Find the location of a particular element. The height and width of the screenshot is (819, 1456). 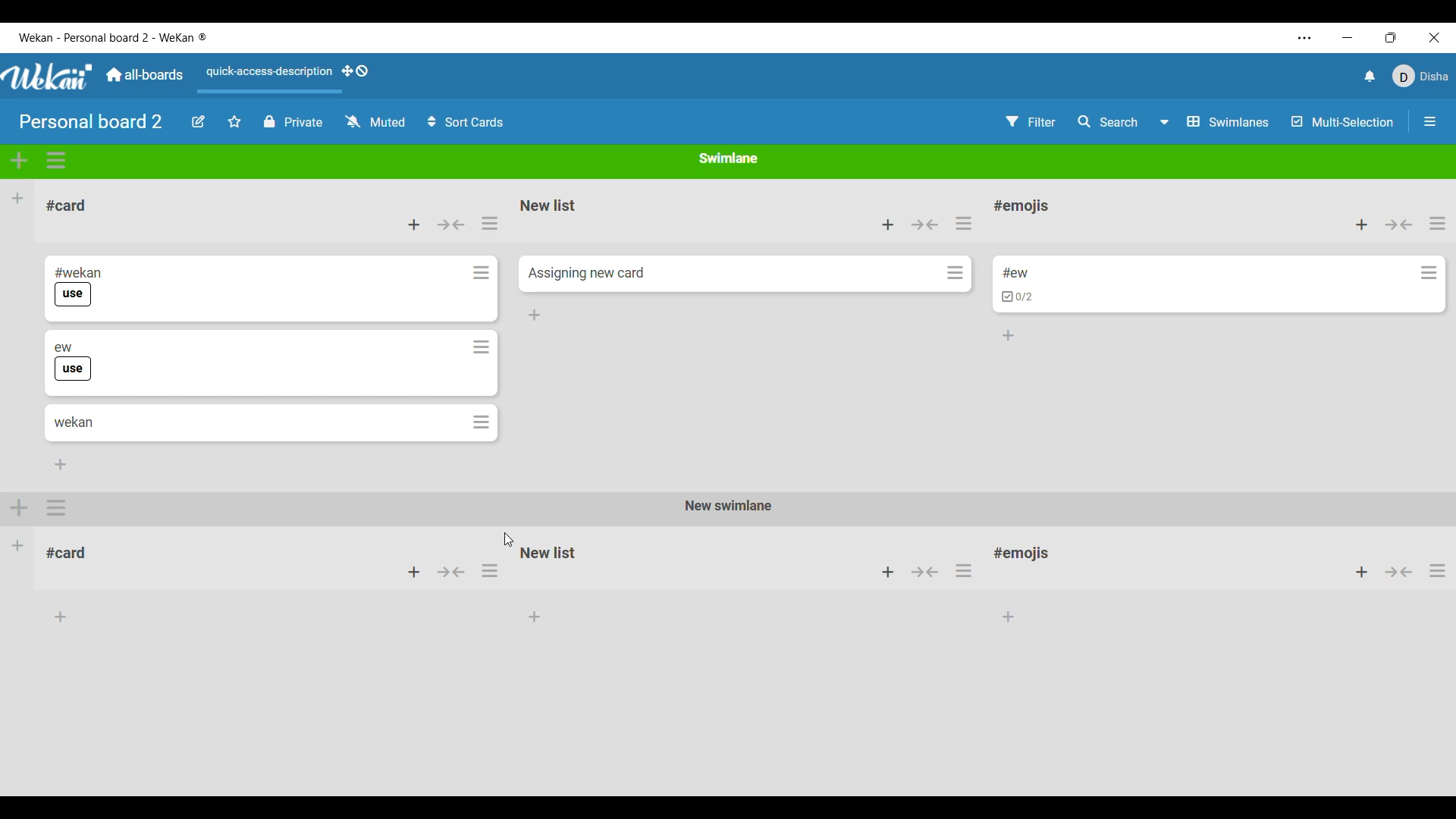

add is located at coordinates (413, 573).